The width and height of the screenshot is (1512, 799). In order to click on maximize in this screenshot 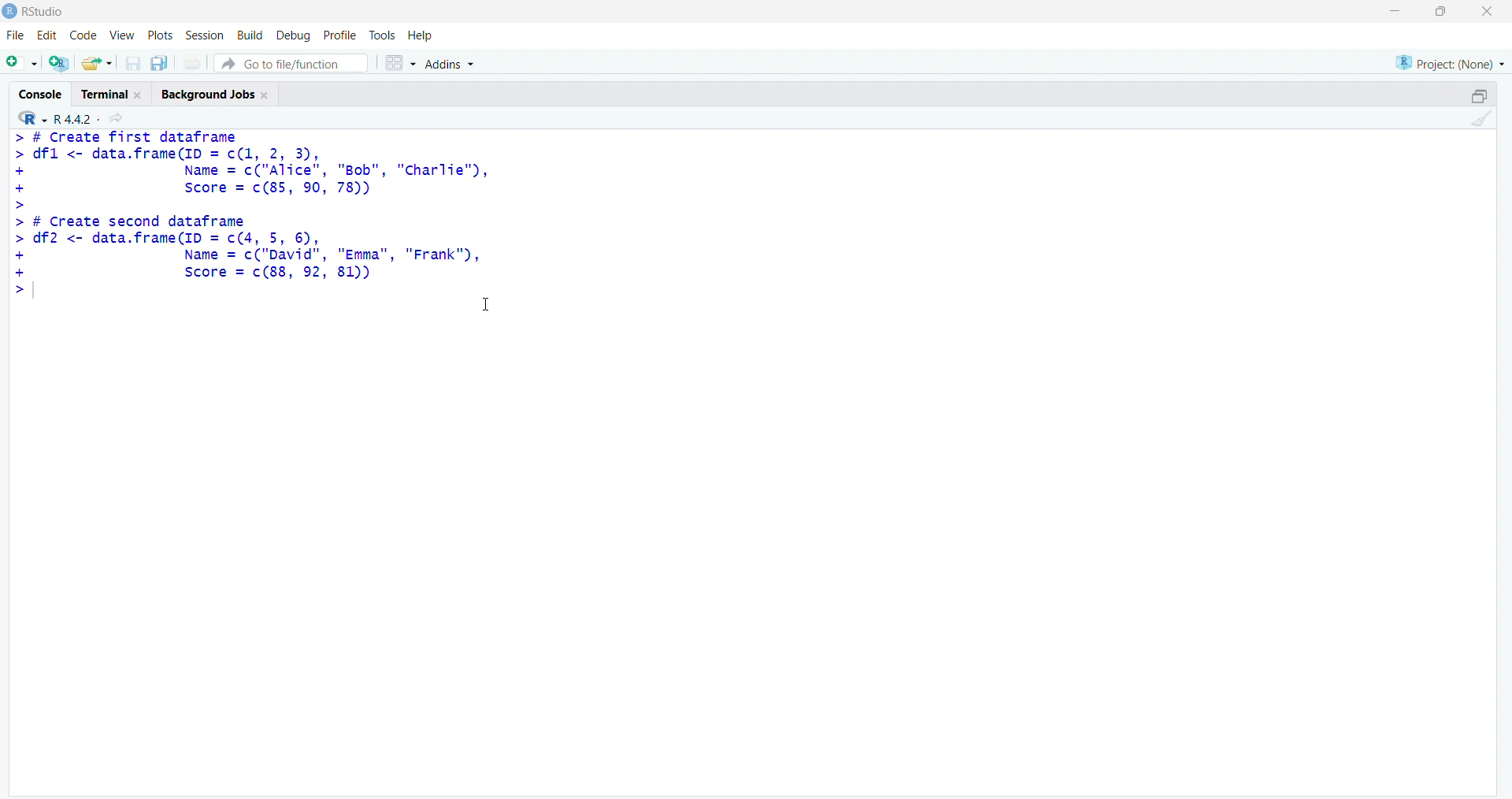, I will do `click(1441, 11)`.